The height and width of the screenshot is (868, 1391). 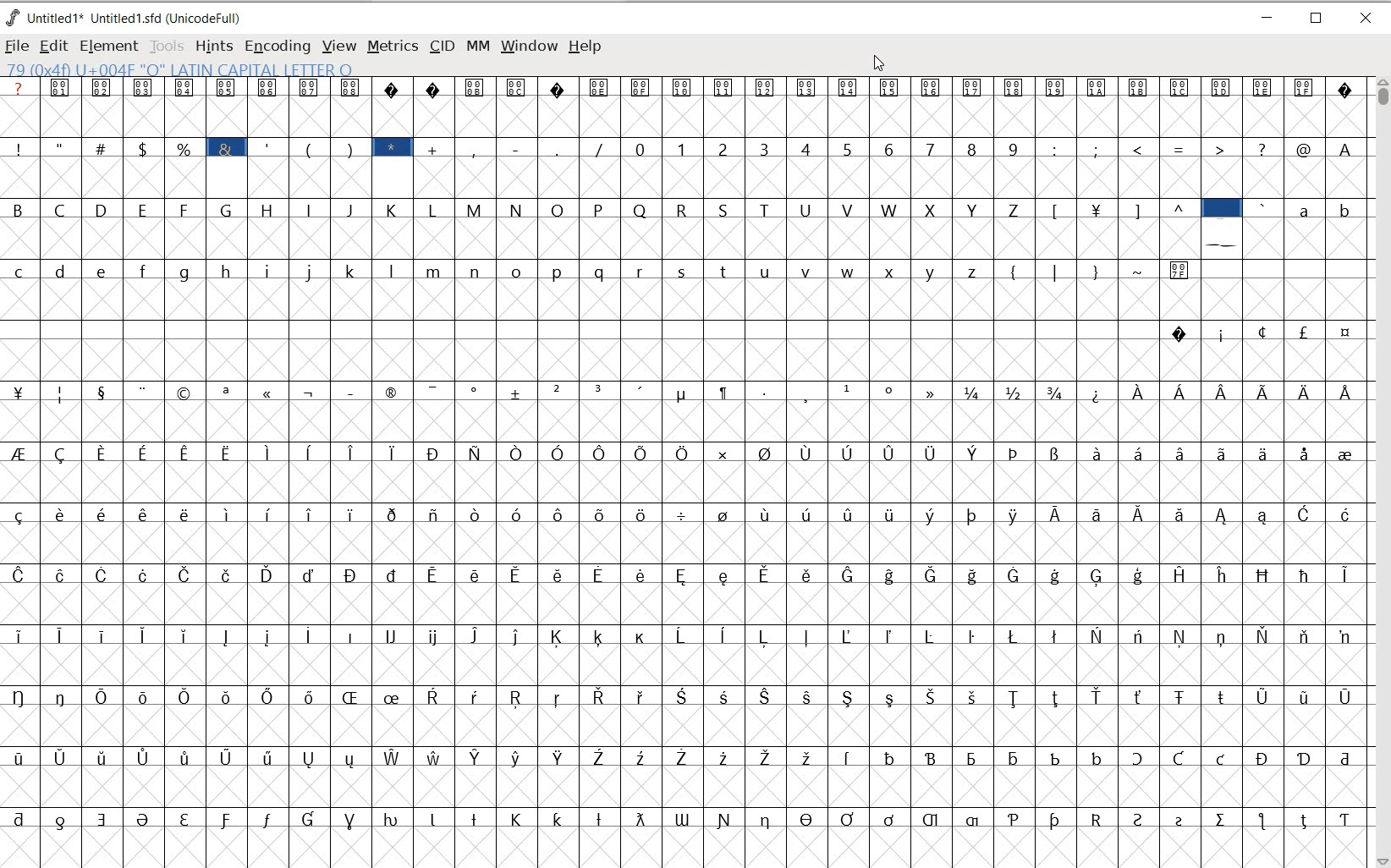 What do you see at coordinates (276, 47) in the screenshot?
I see `ENCODING` at bounding box center [276, 47].